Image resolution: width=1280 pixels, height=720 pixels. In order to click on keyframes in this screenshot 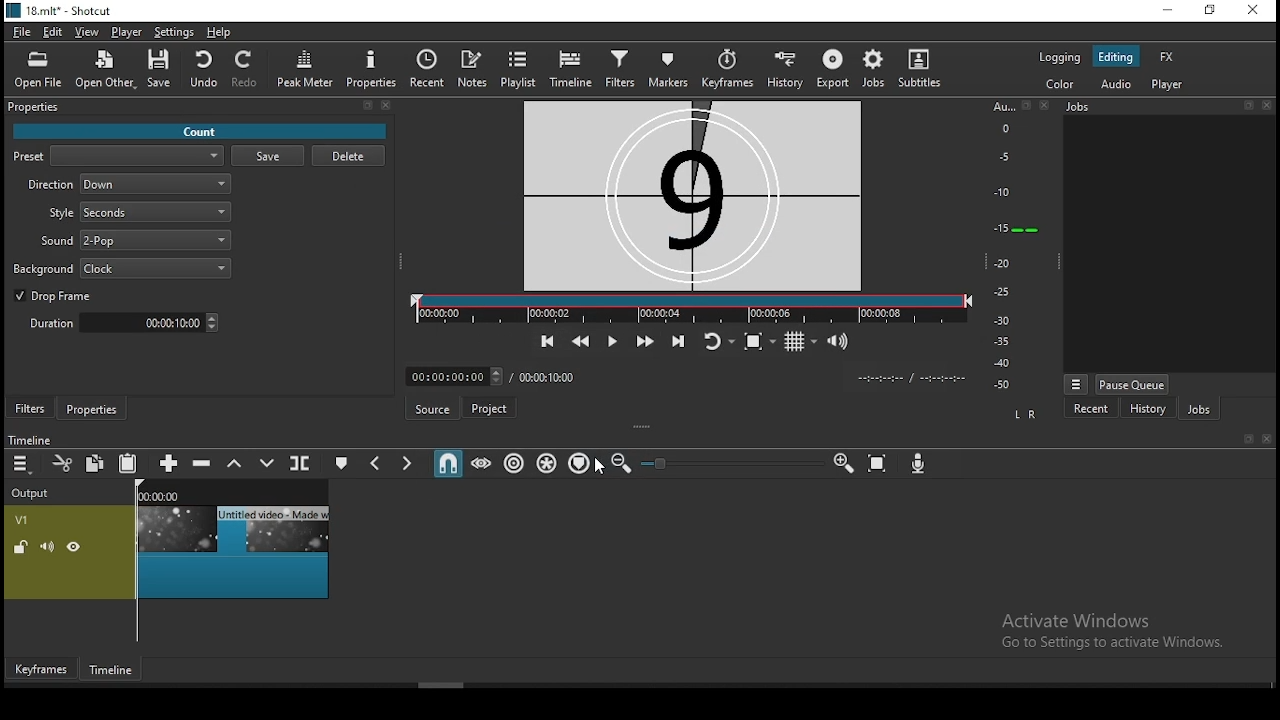, I will do `click(727, 68)`.